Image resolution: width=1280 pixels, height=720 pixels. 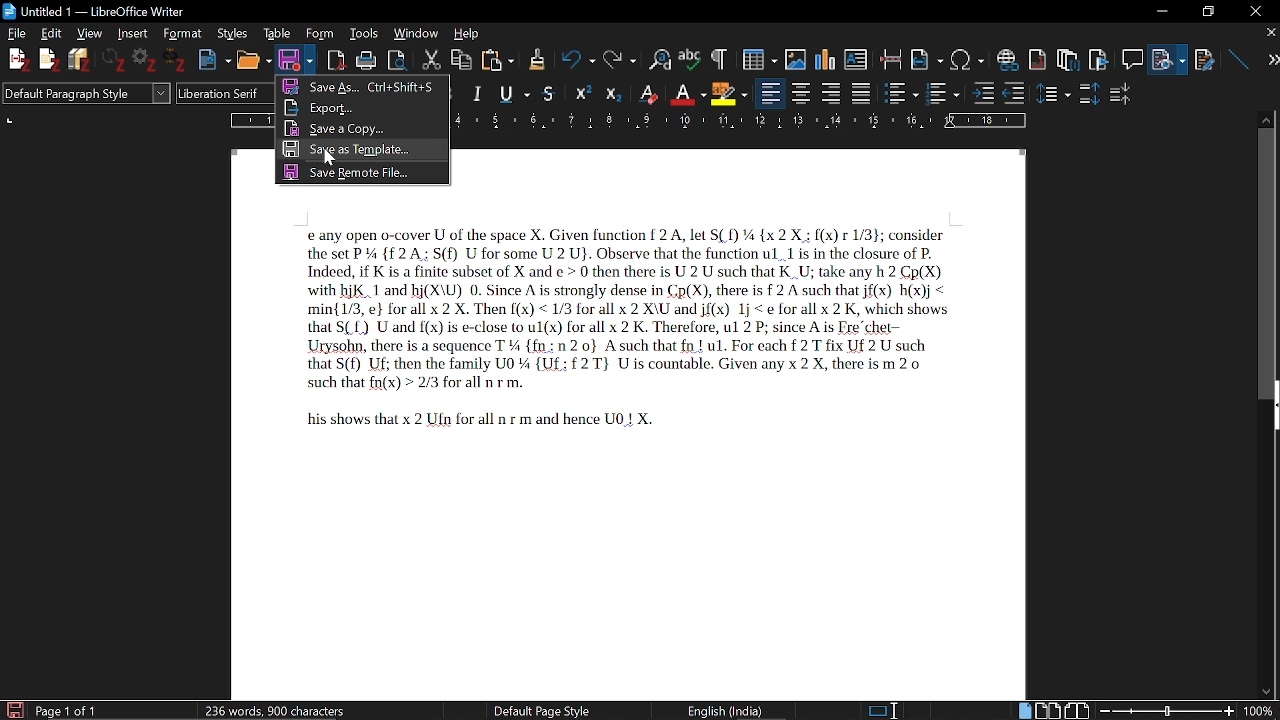 I want to click on line, so click(x=1236, y=56).